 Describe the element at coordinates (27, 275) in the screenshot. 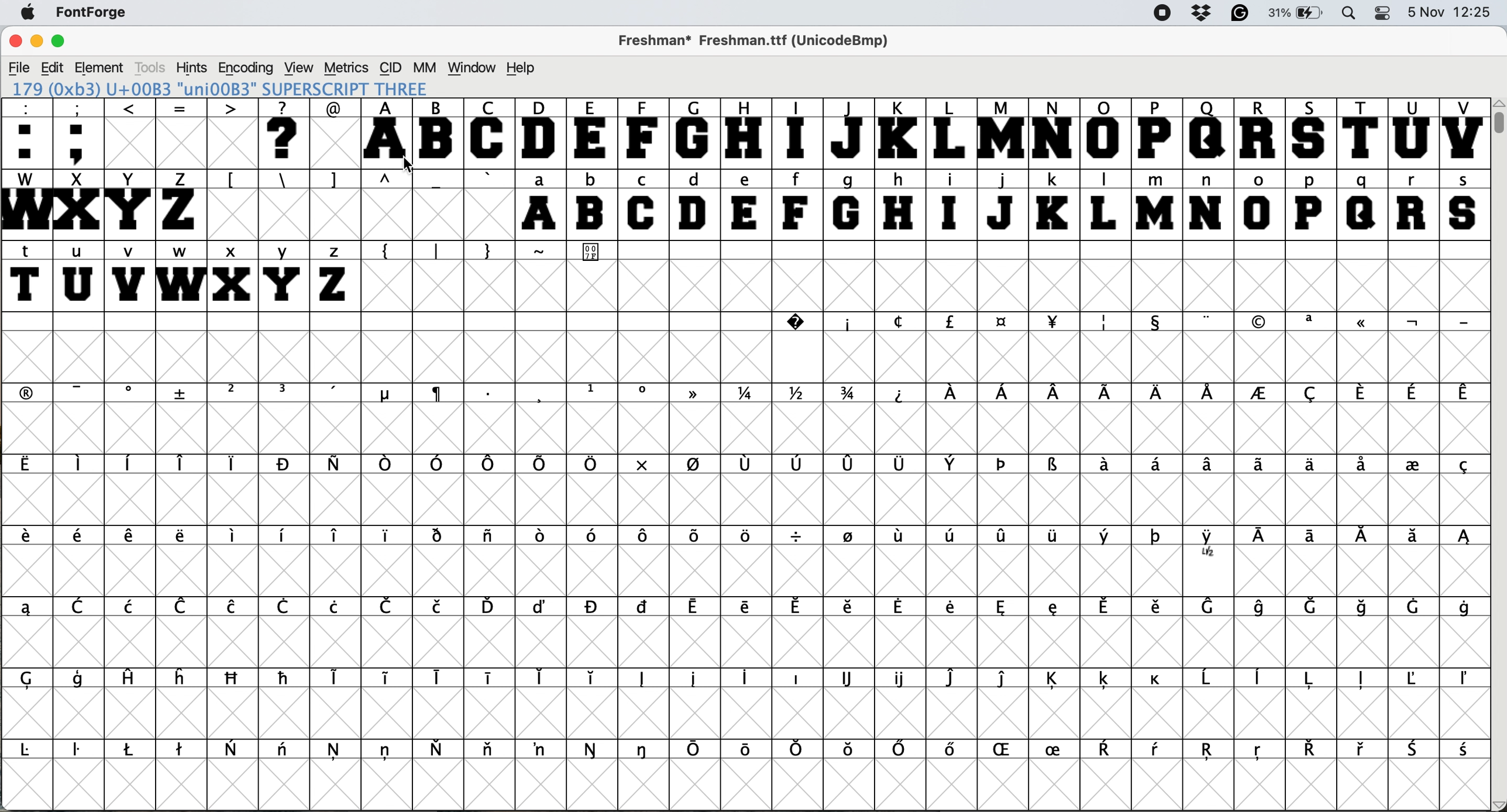

I see `t` at that location.